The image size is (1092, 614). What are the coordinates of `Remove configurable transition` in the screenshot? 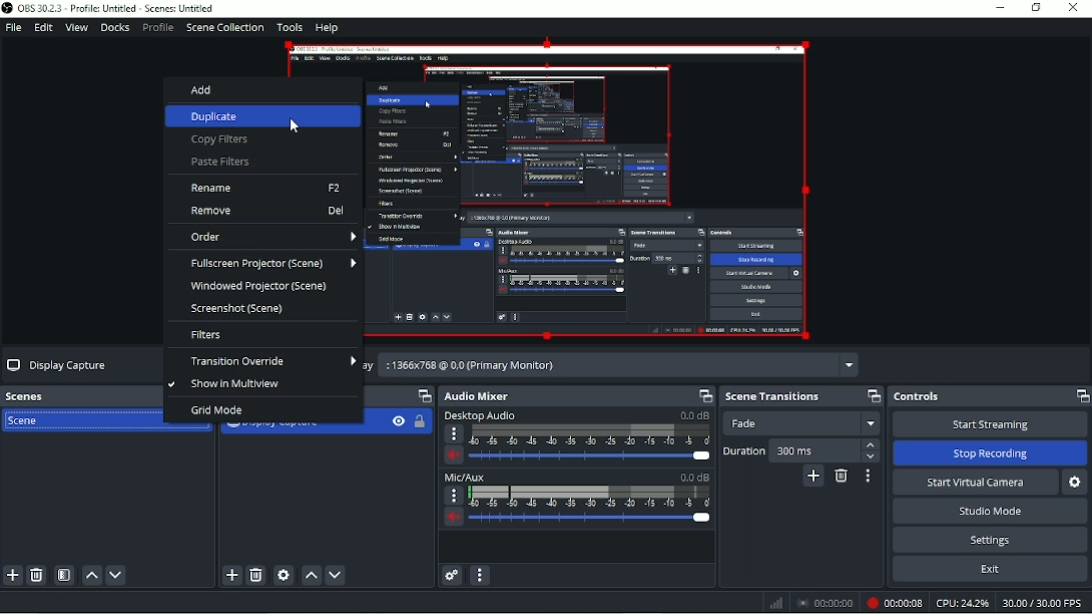 It's located at (841, 478).